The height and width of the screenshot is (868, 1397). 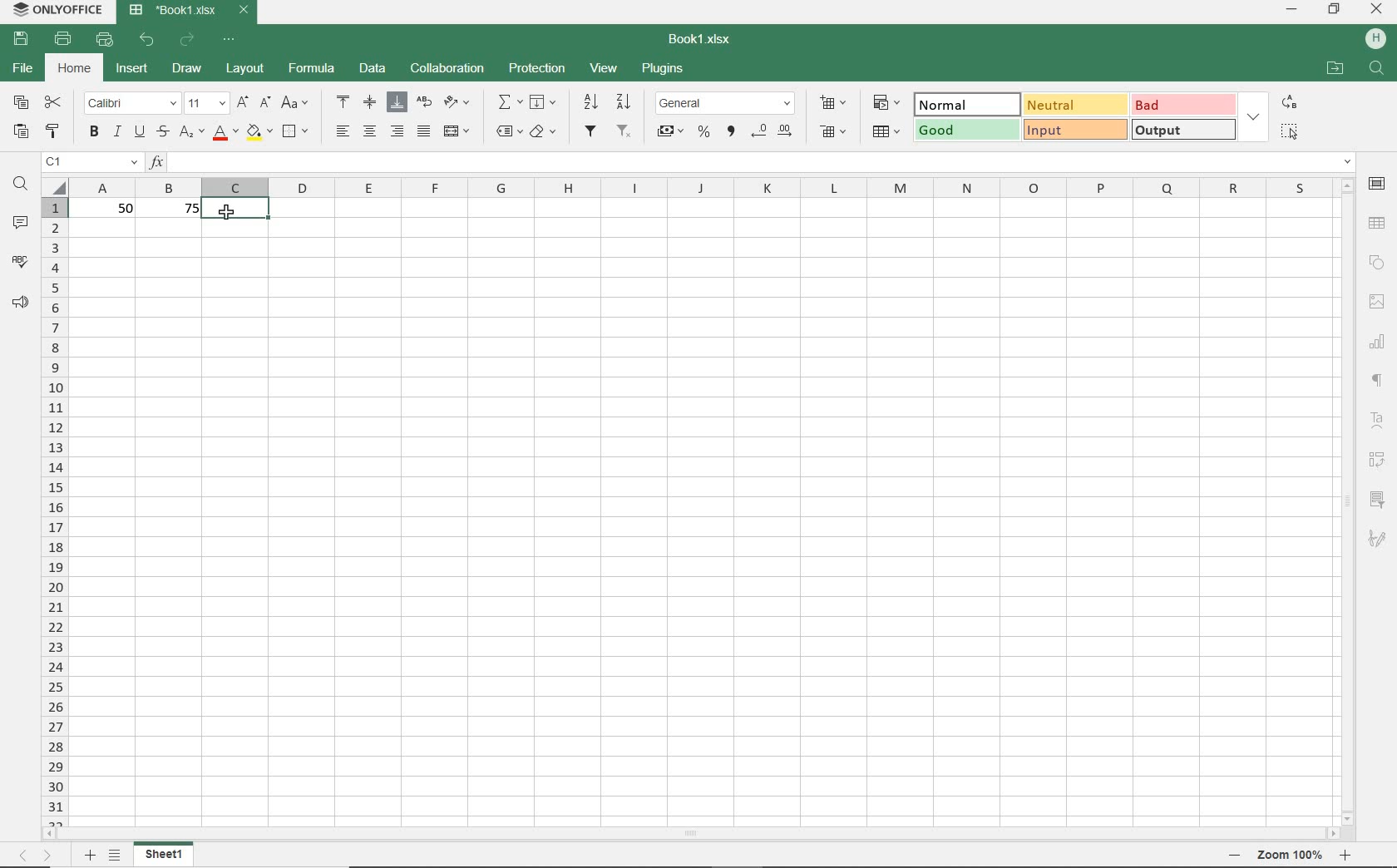 What do you see at coordinates (167, 854) in the screenshot?
I see `sheet1` at bounding box center [167, 854].